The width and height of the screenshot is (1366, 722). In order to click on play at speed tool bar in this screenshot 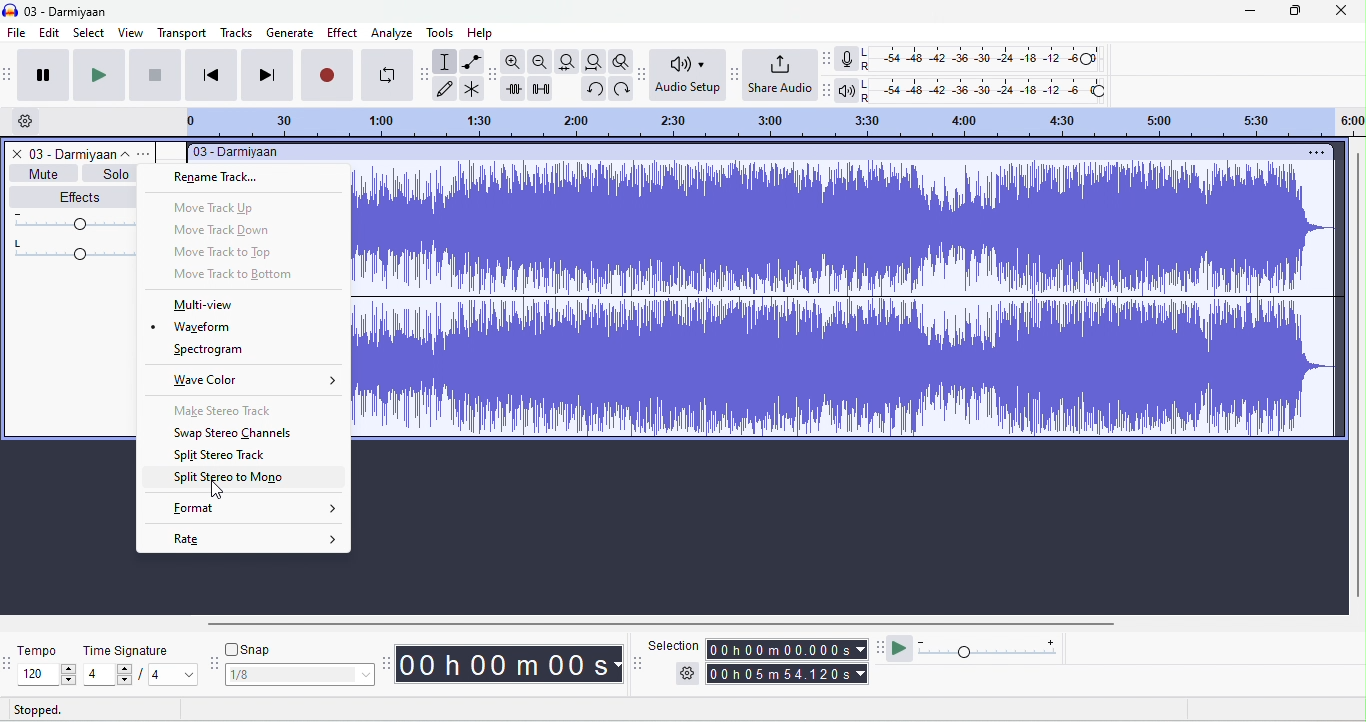, I will do `click(881, 645)`.